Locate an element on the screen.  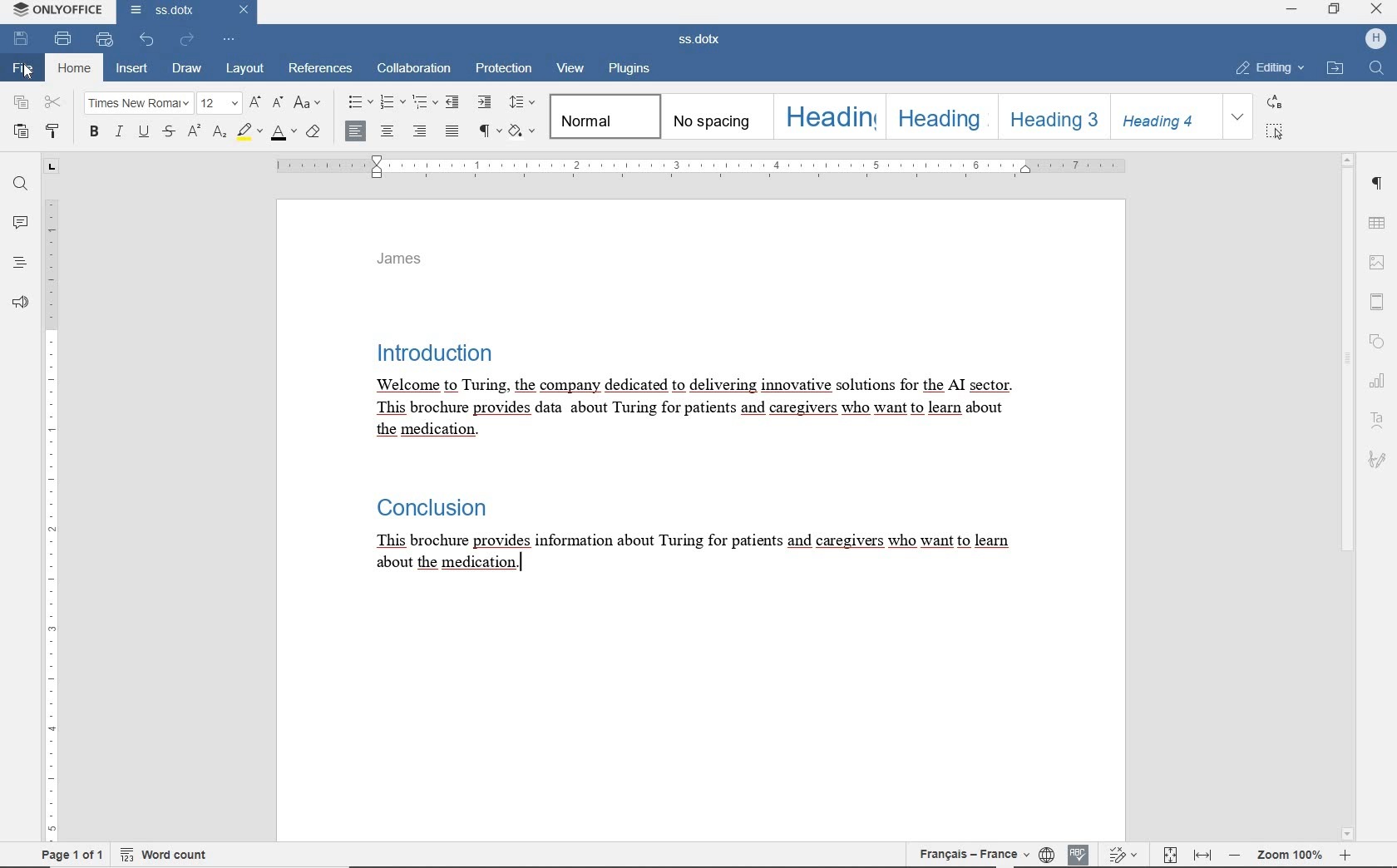
FIND is located at coordinates (1376, 70).